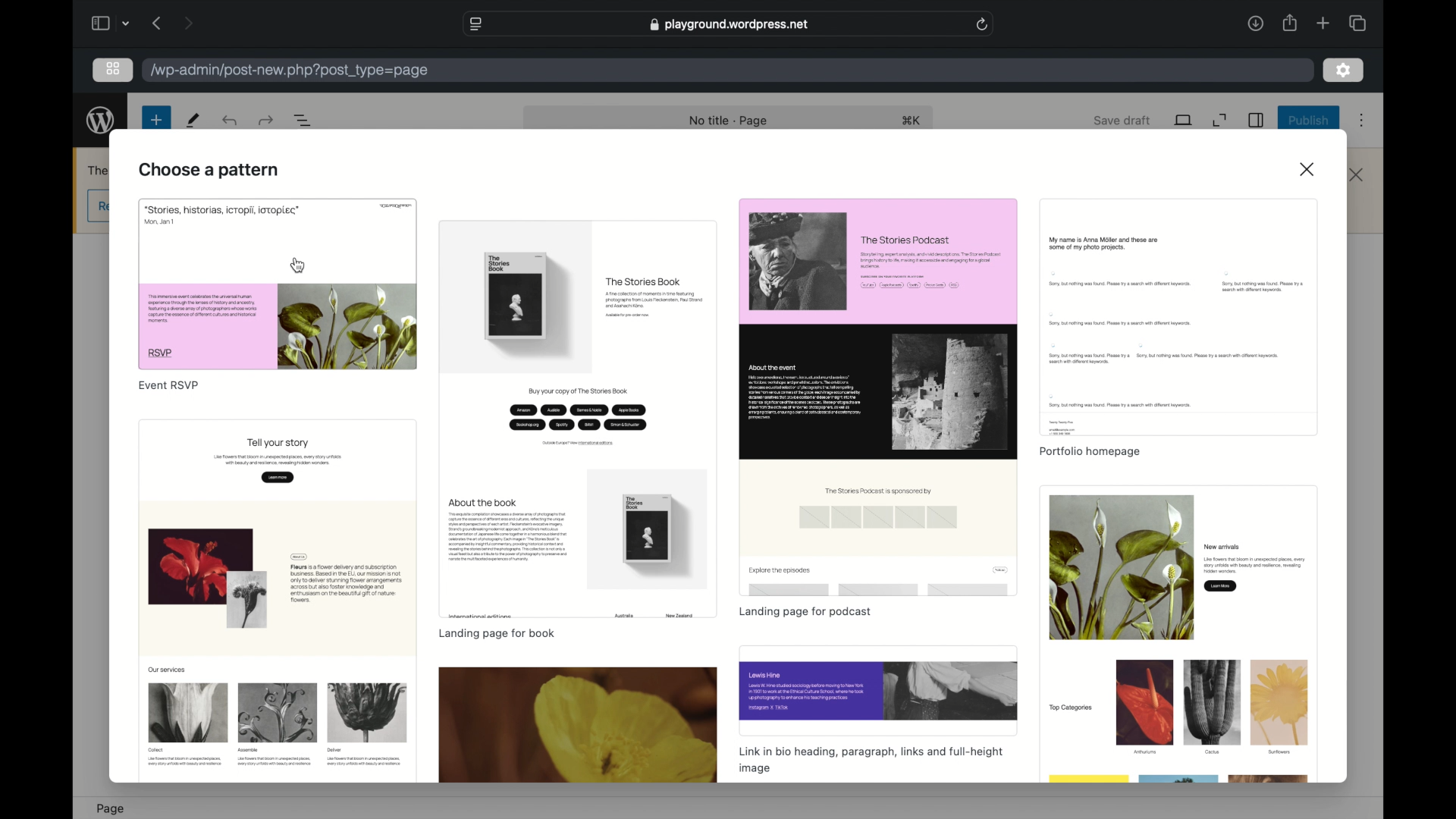 Image resolution: width=1456 pixels, height=819 pixels. I want to click on event rsvp, so click(168, 386).